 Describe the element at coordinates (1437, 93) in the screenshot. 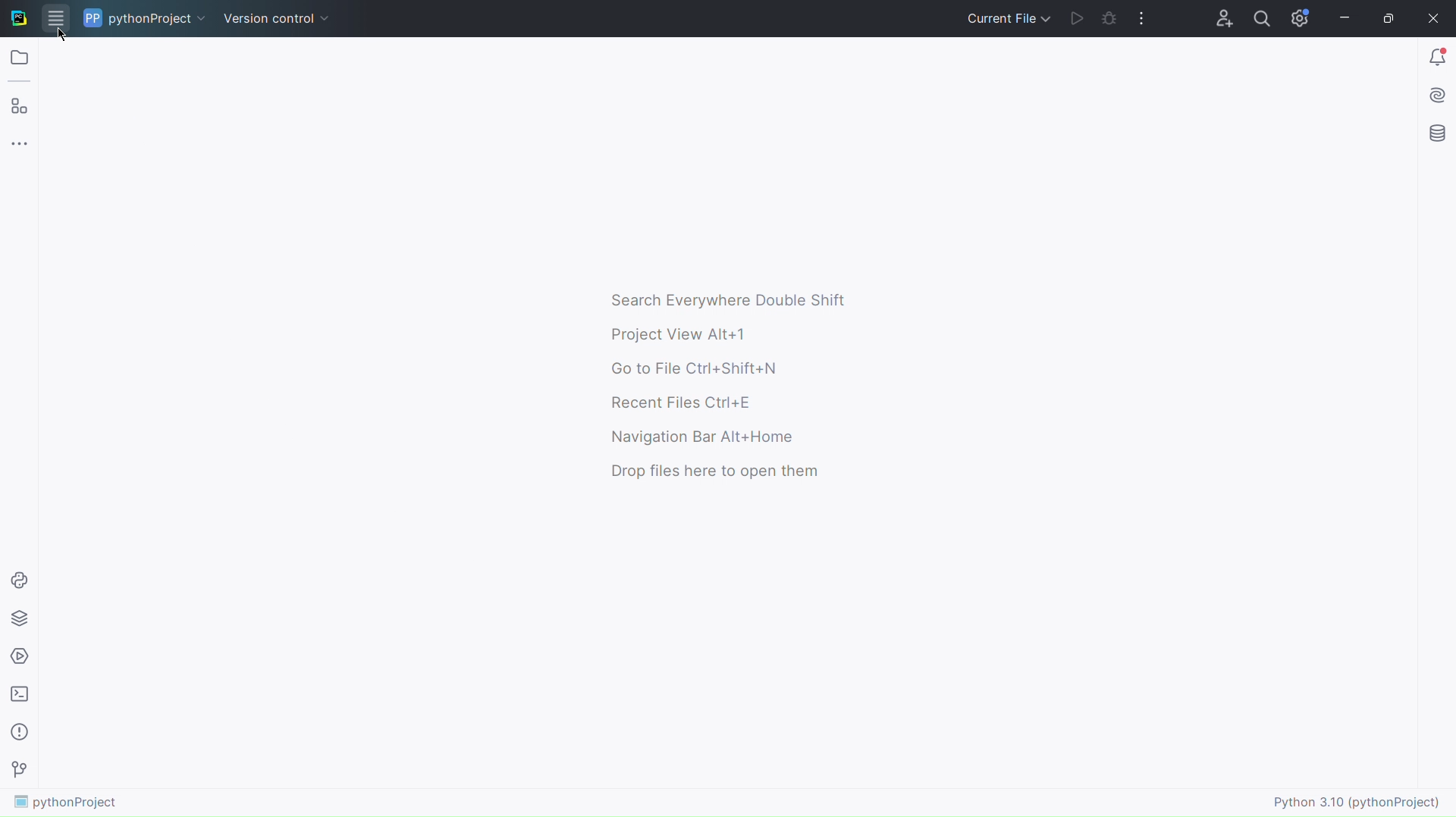

I see `Install AI assistant` at that location.